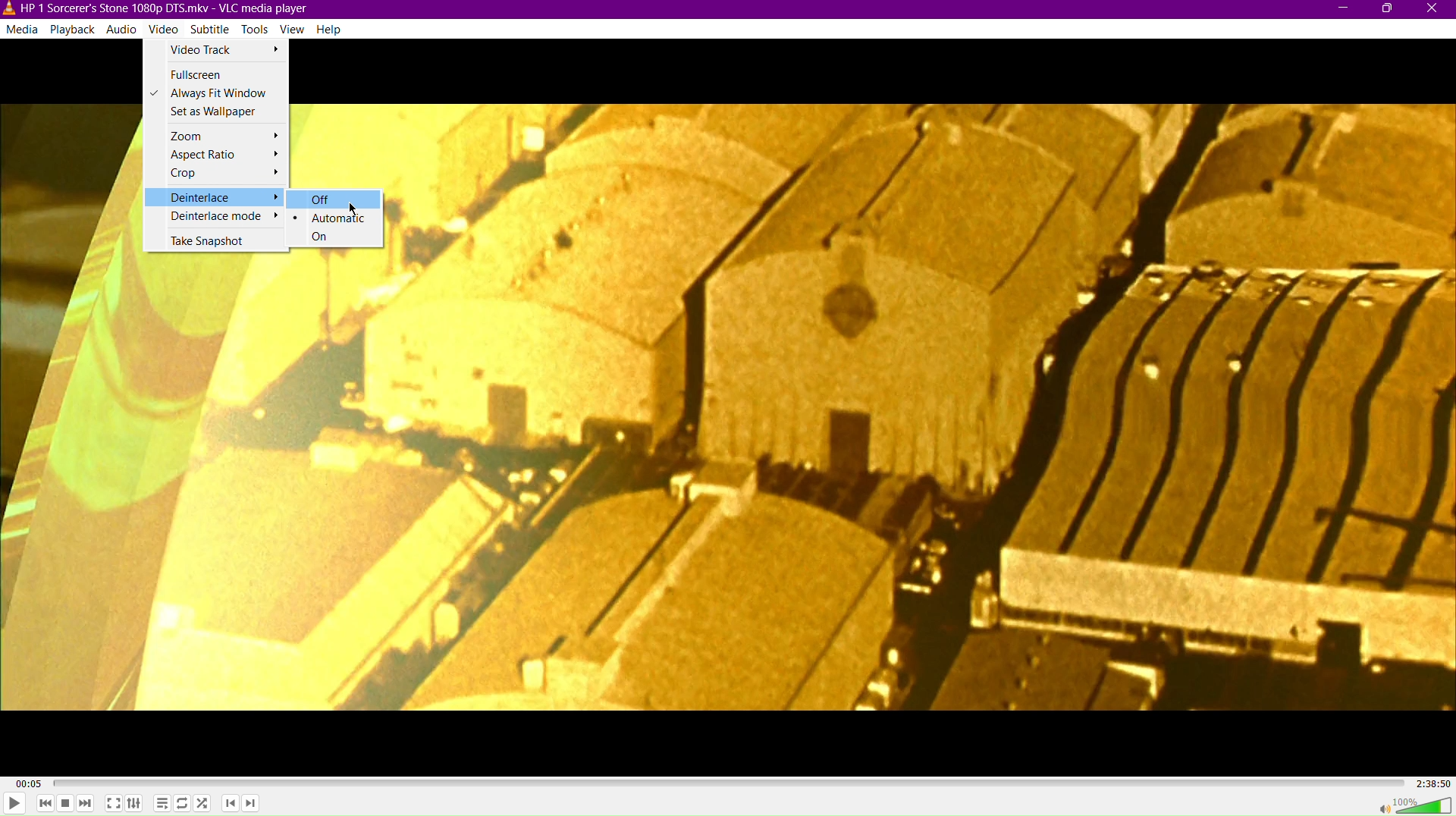 The height and width of the screenshot is (816, 1456). I want to click on Video, so click(165, 29).